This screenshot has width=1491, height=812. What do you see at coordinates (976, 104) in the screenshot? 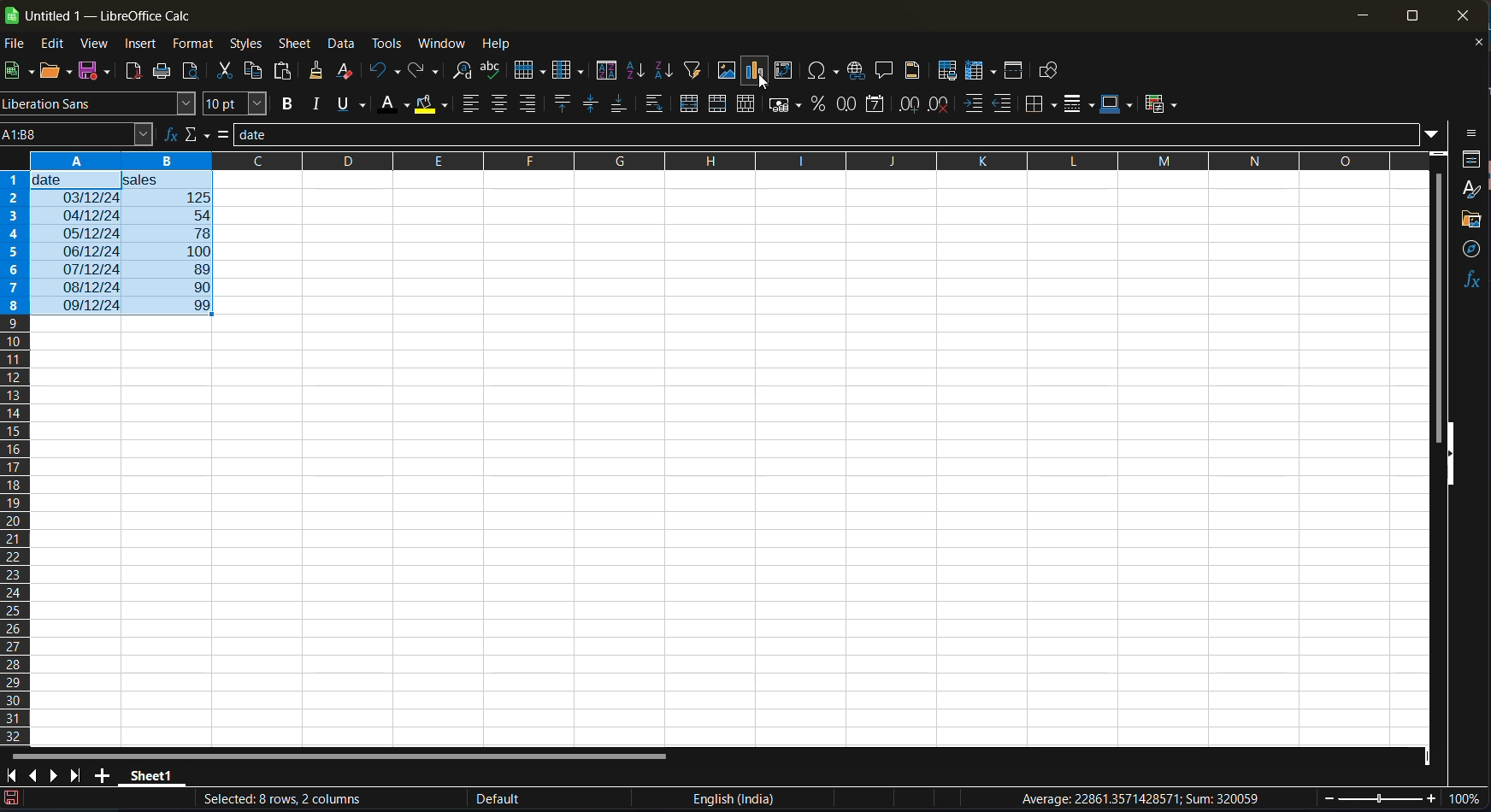
I see `increase indent` at bounding box center [976, 104].